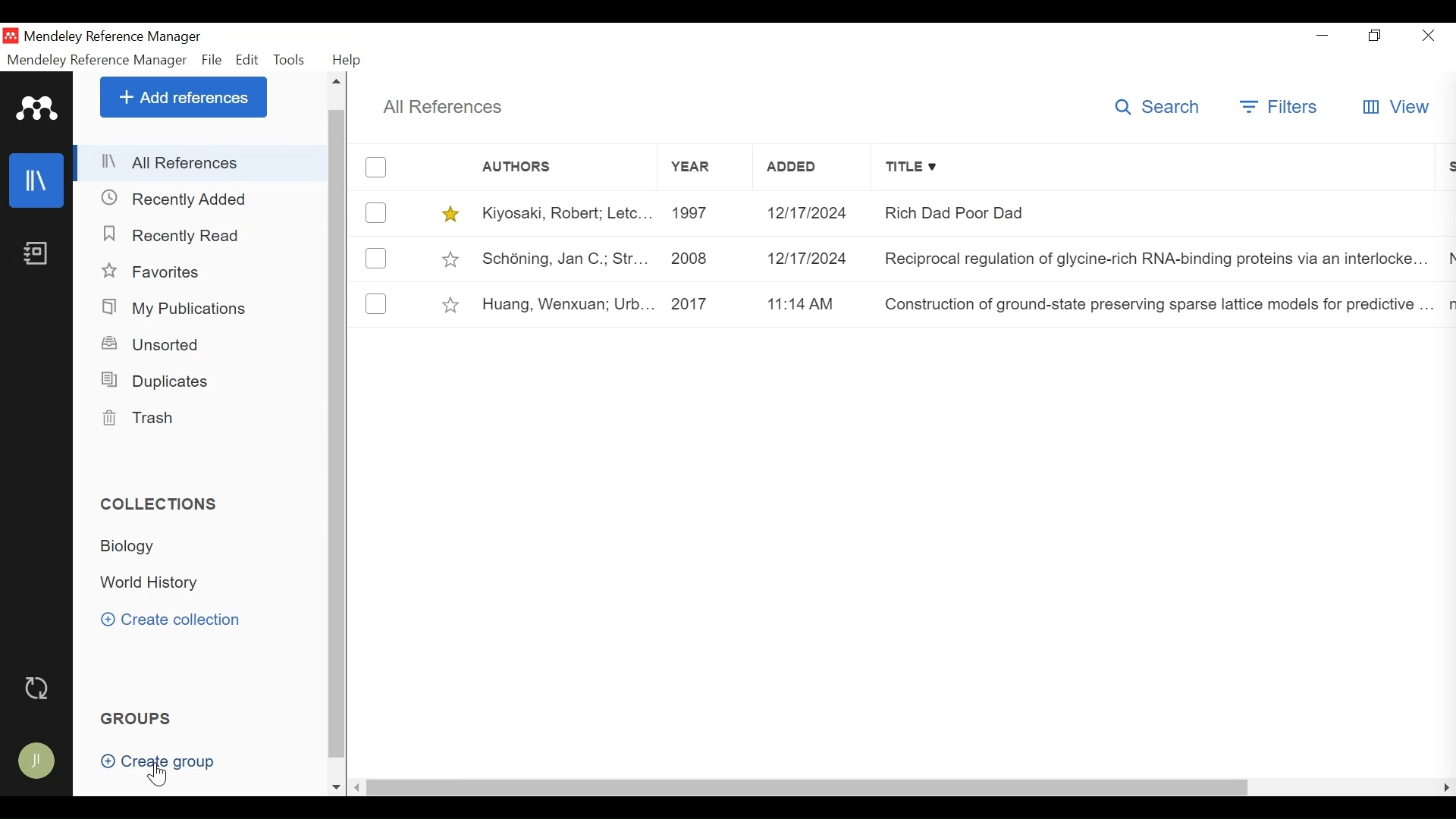 Image resolution: width=1456 pixels, height=819 pixels. What do you see at coordinates (565, 214) in the screenshot?
I see `Kiyosaki, Robert; Letc...` at bounding box center [565, 214].